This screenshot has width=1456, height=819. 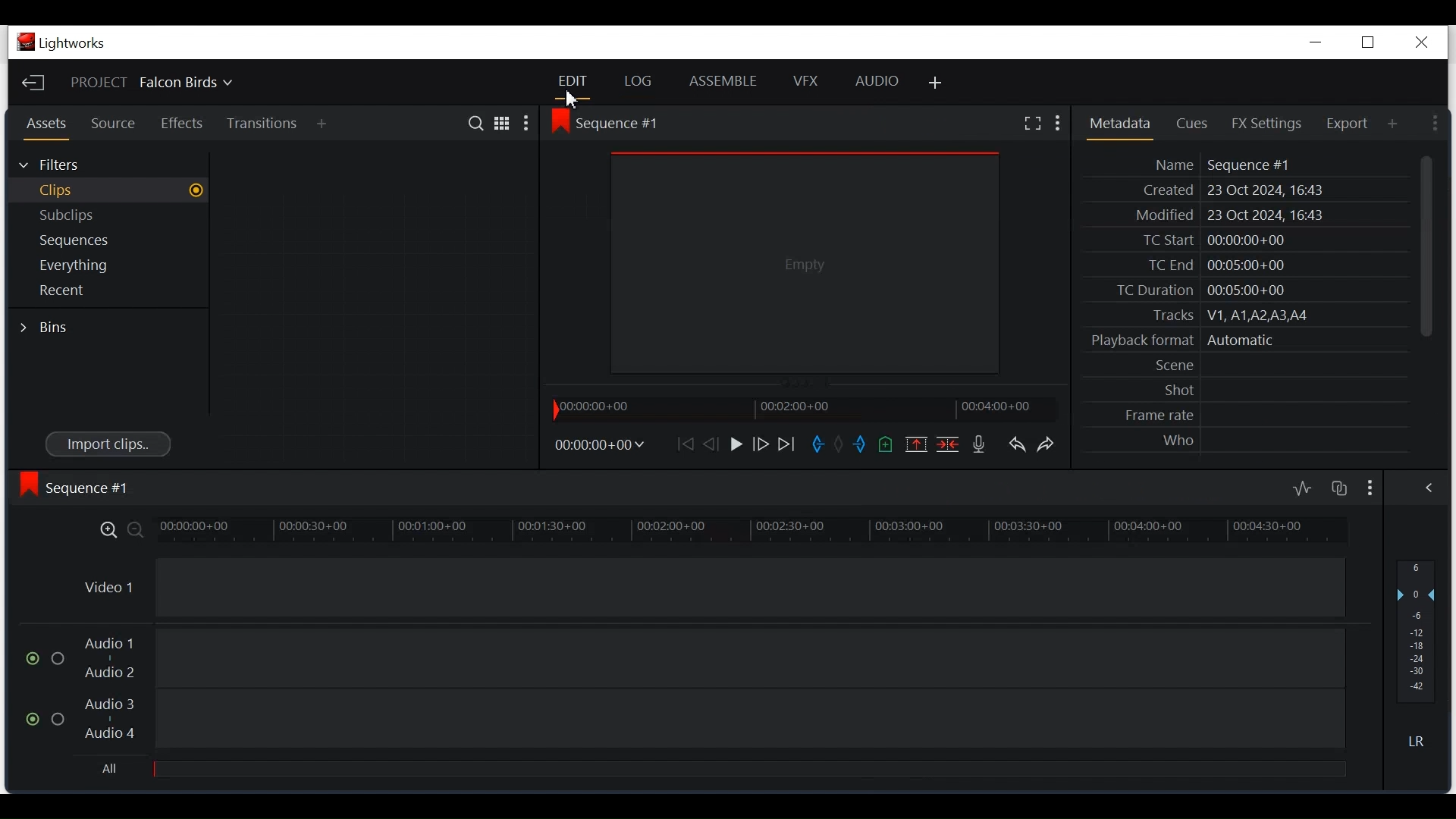 I want to click on Media Viewer, so click(x=807, y=262).